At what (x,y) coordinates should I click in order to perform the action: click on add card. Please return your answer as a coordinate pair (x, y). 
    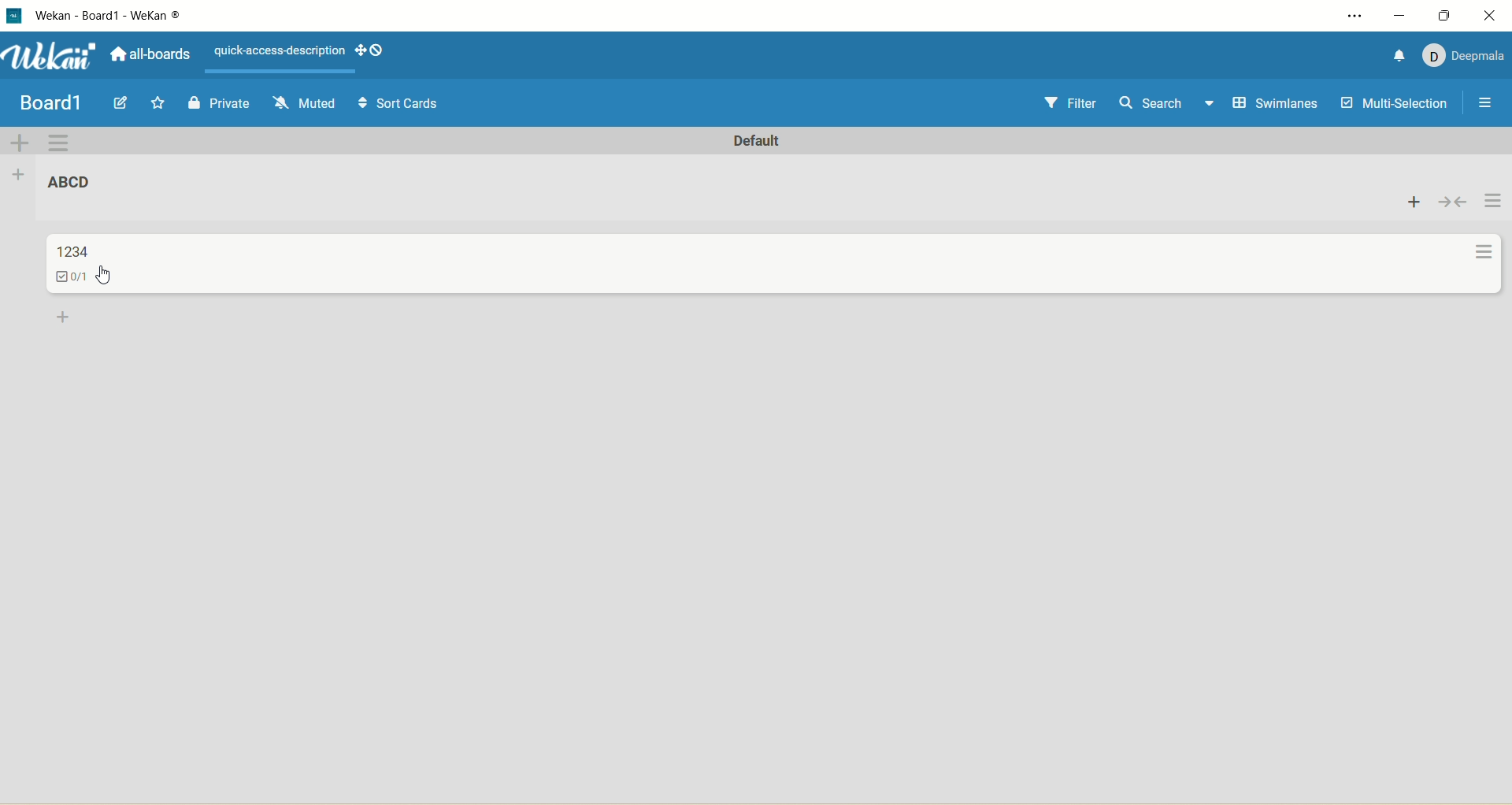
    Looking at the image, I should click on (1412, 204).